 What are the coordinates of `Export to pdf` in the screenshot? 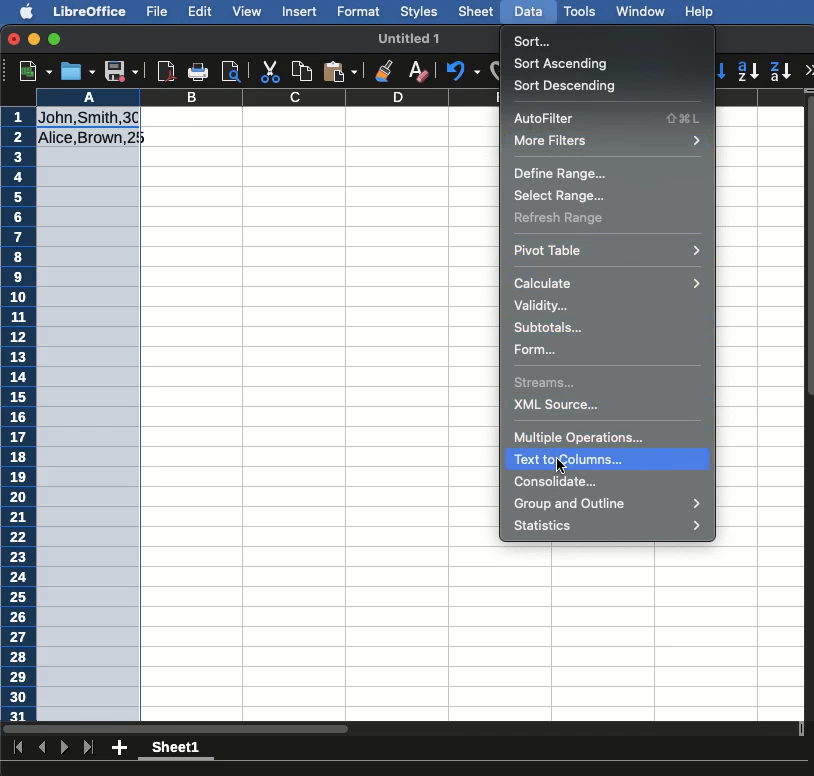 It's located at (165, 71).